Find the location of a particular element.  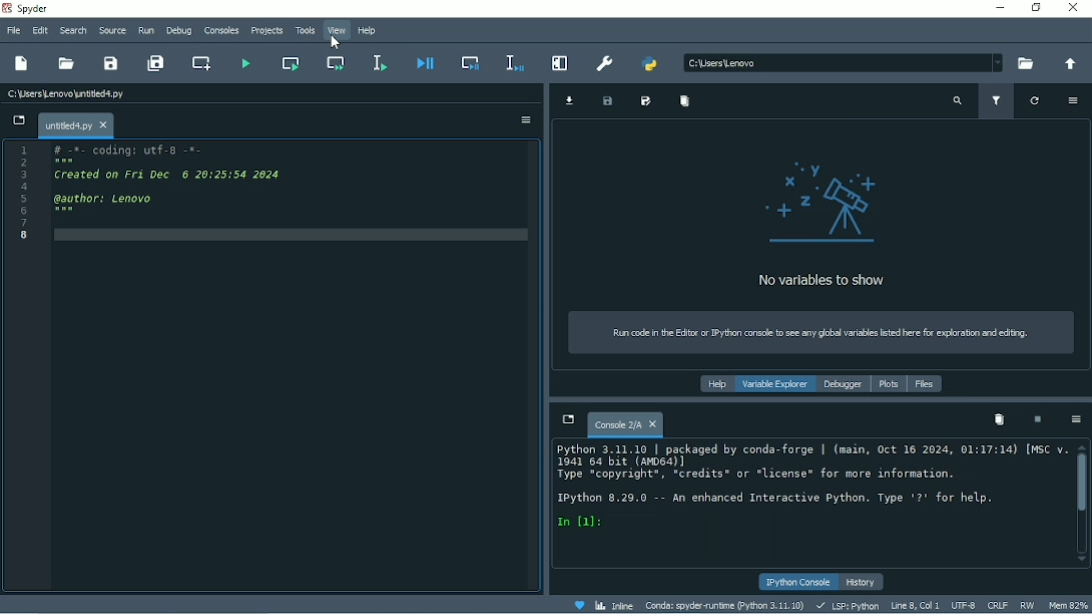

Source is located at coordinates (113, 30).